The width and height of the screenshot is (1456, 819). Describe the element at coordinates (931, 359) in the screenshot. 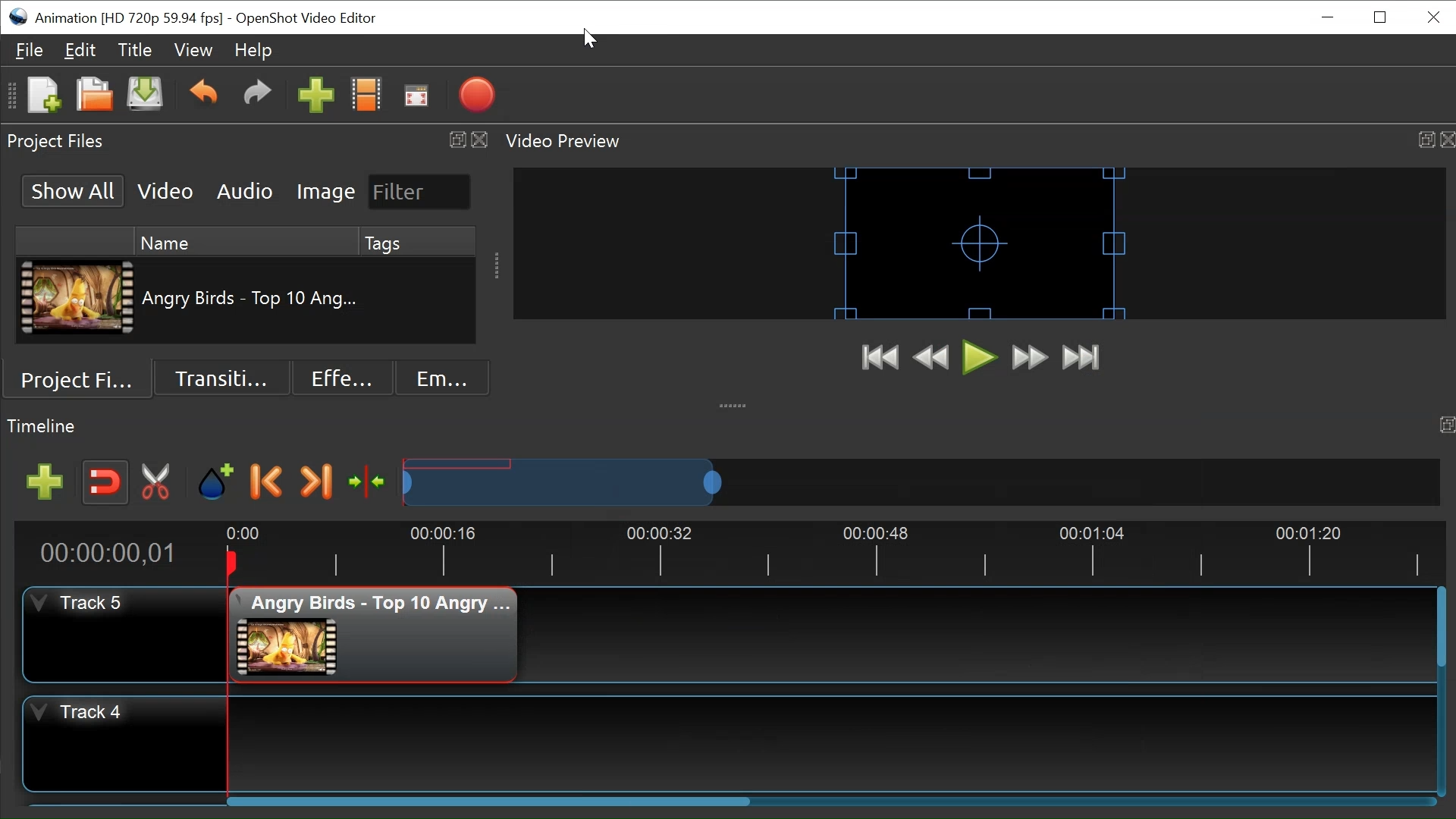

I see `Rewind` at that location.